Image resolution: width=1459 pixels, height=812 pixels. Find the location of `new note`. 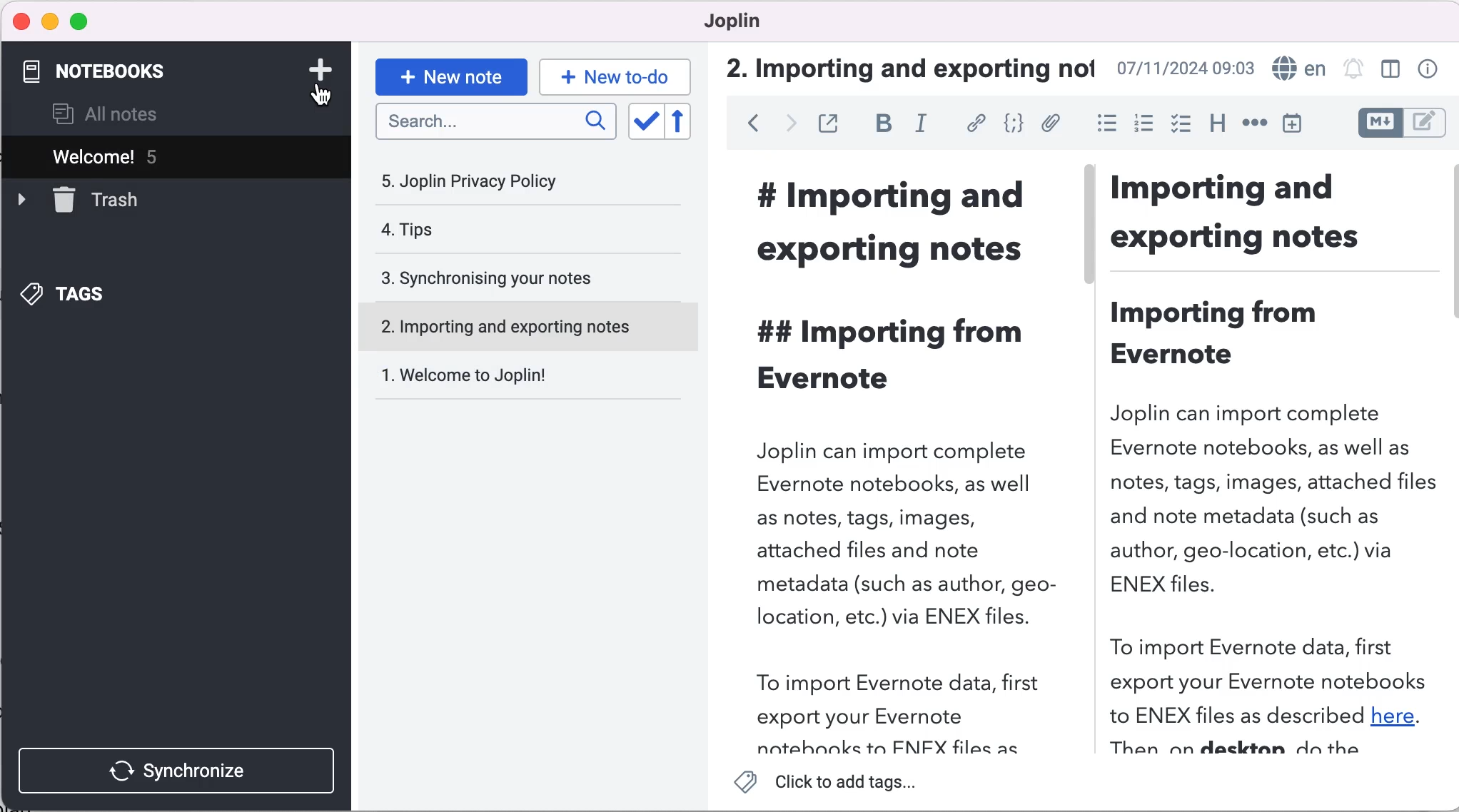

new note is located at coordinates (451, 76).